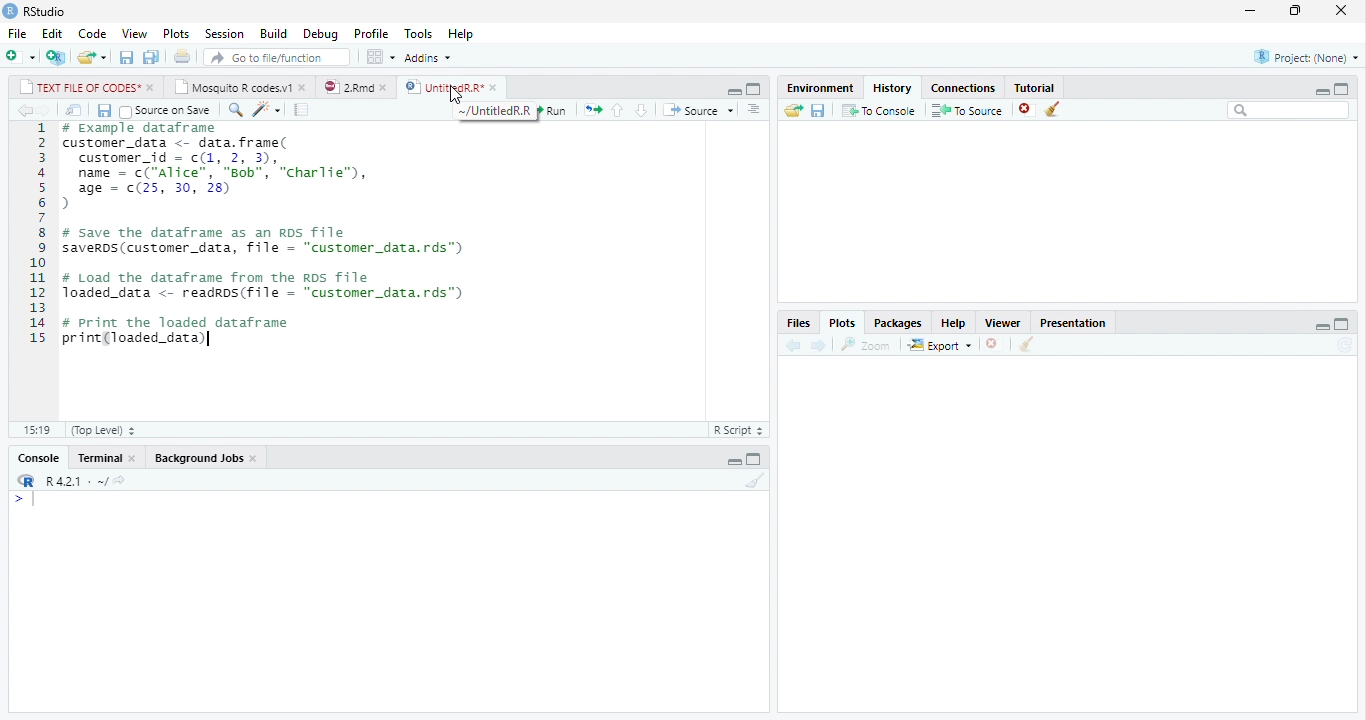 This screenshot has width=1366, height=720. What do you see at coordinates (1295, 11) in the screenshot?
I see `restore` at bounding box center [1295, 11].